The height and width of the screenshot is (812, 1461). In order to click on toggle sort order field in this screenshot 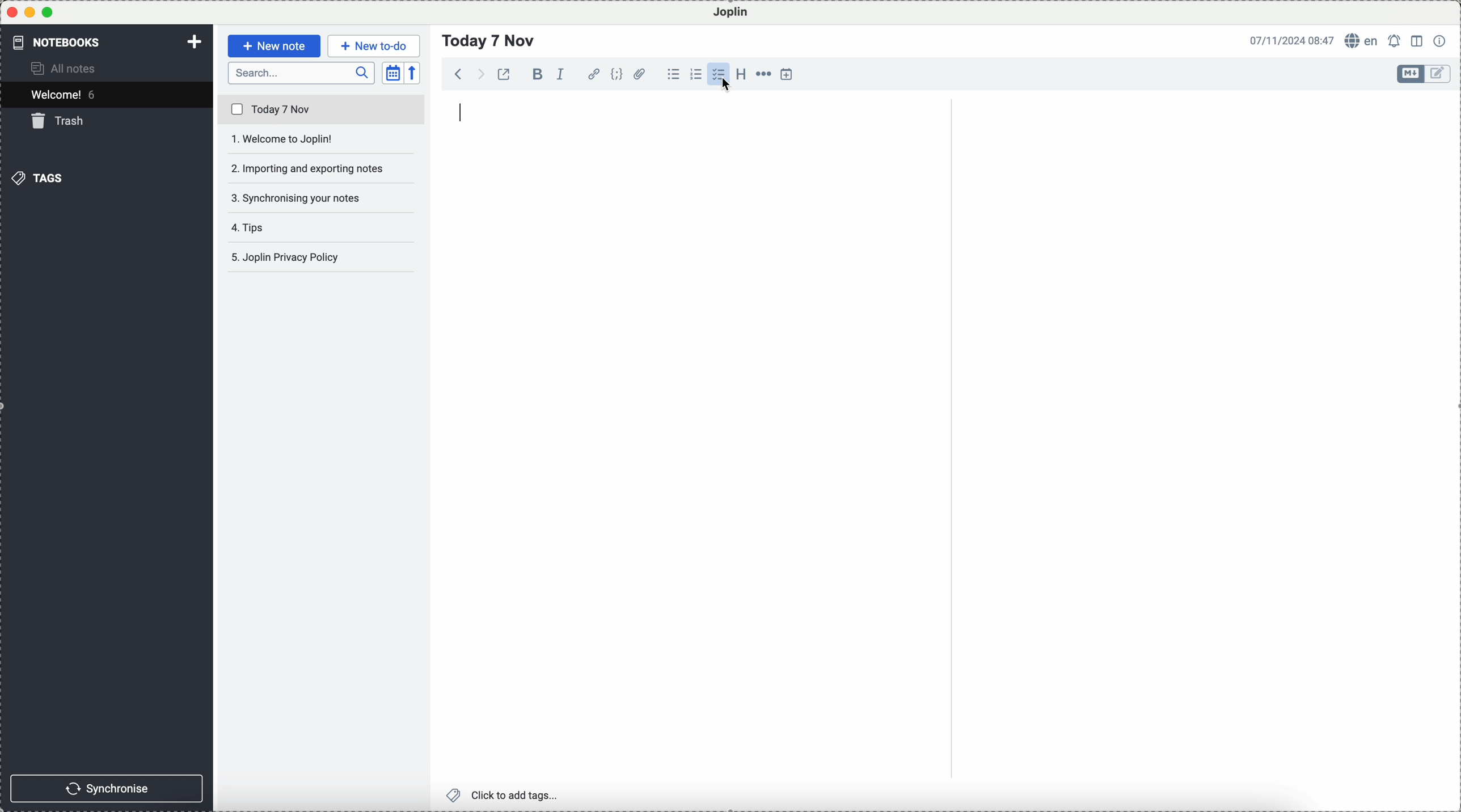, I will do `click(393, 73)`.